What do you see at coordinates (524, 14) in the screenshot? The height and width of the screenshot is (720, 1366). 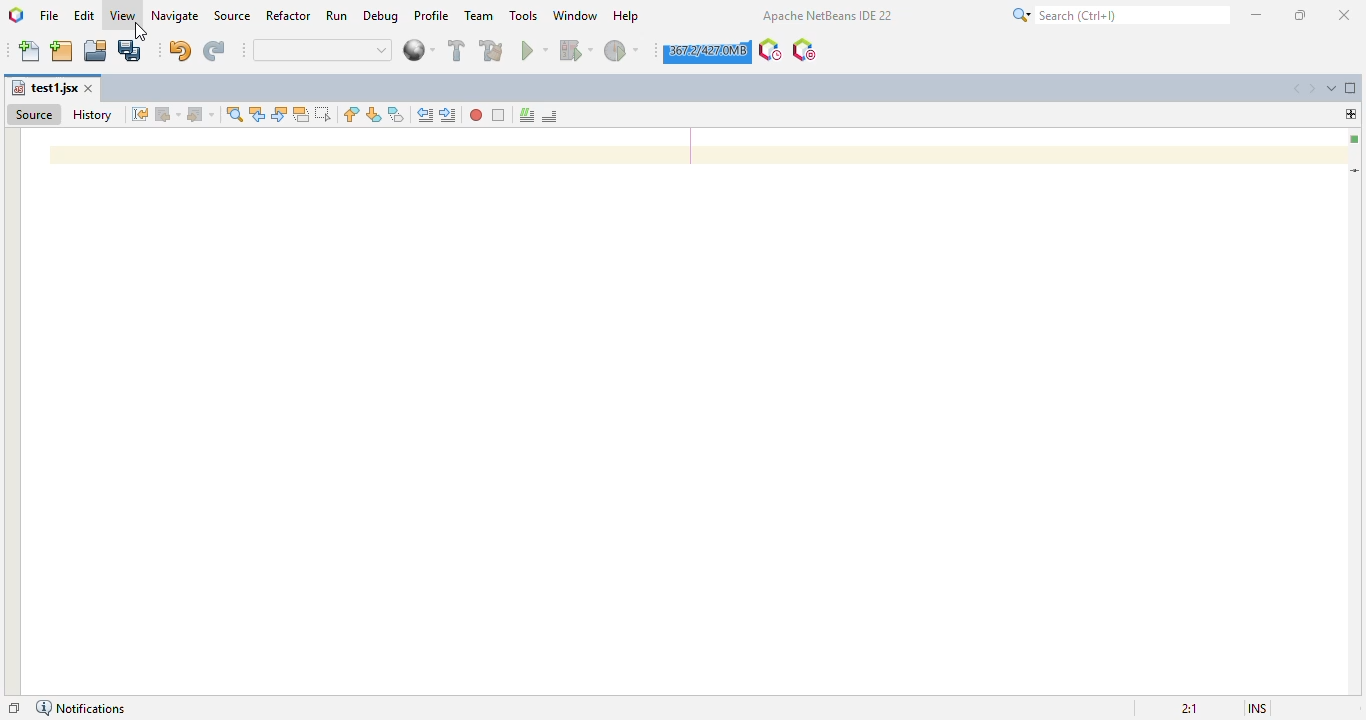 I see `tools` at bounding box center [524, 14].